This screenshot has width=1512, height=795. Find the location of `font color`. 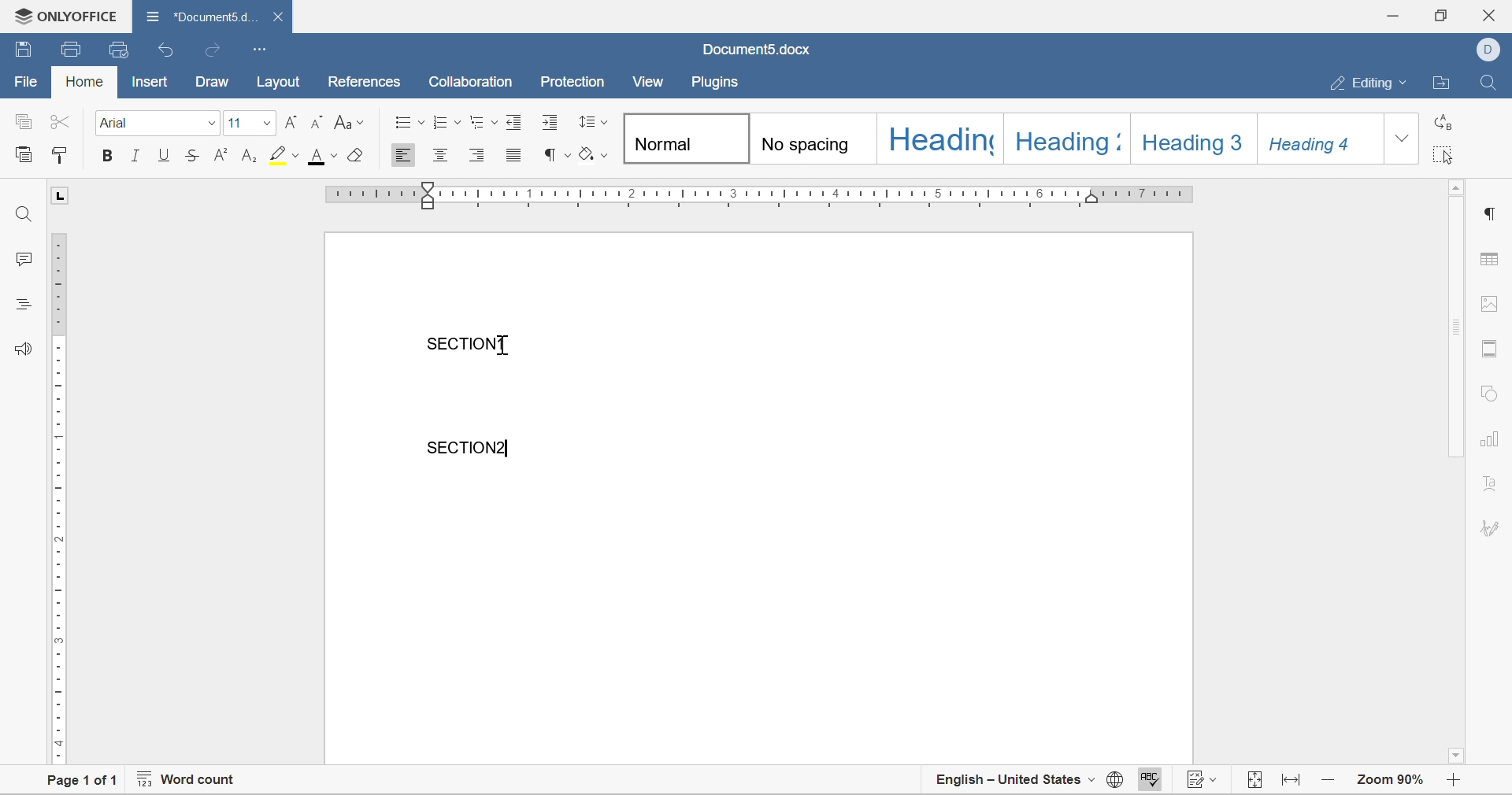

font color is located at coordinates (324, 156).